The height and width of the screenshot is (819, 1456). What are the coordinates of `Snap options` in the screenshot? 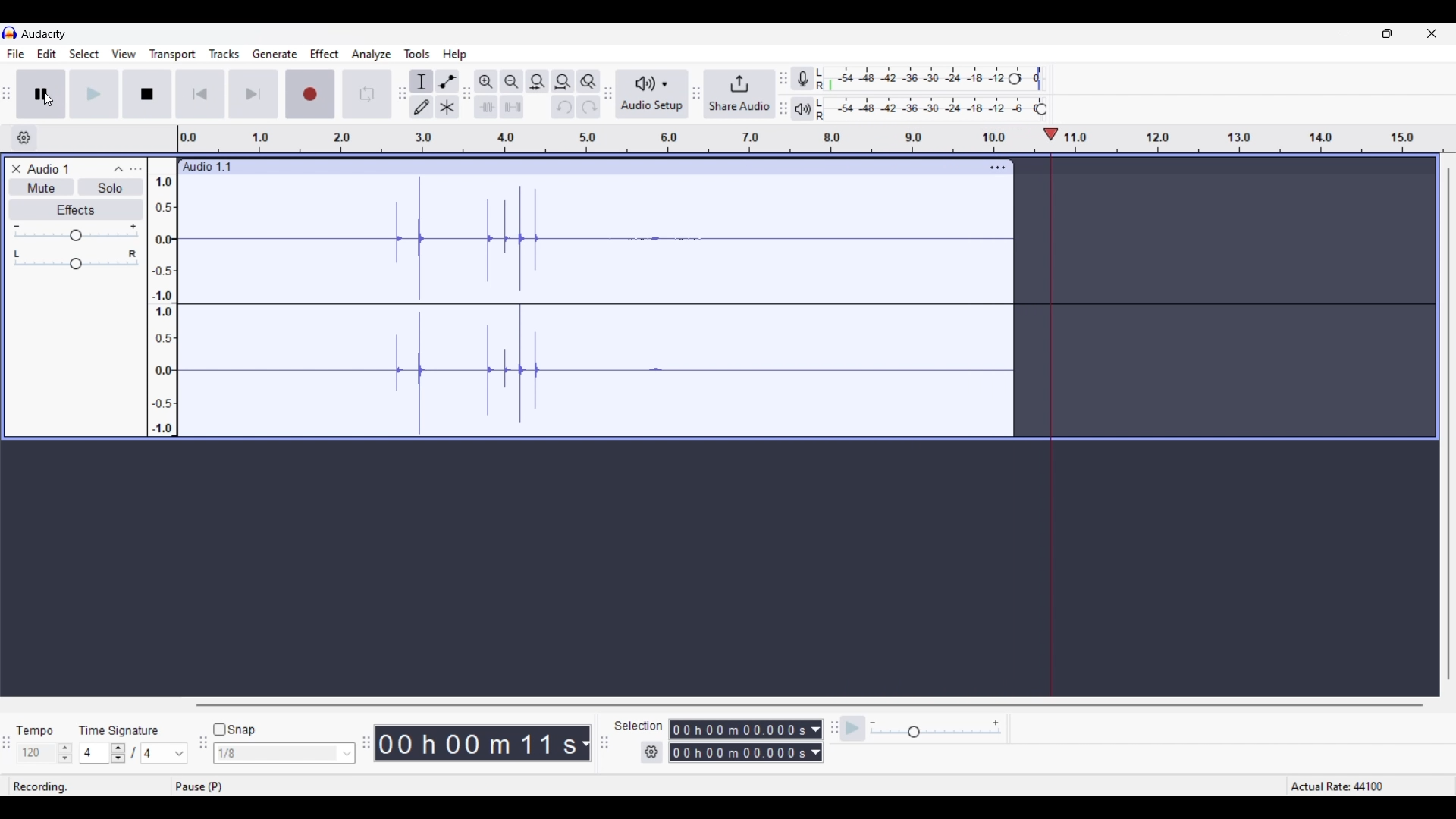 It's located at (347, 754).